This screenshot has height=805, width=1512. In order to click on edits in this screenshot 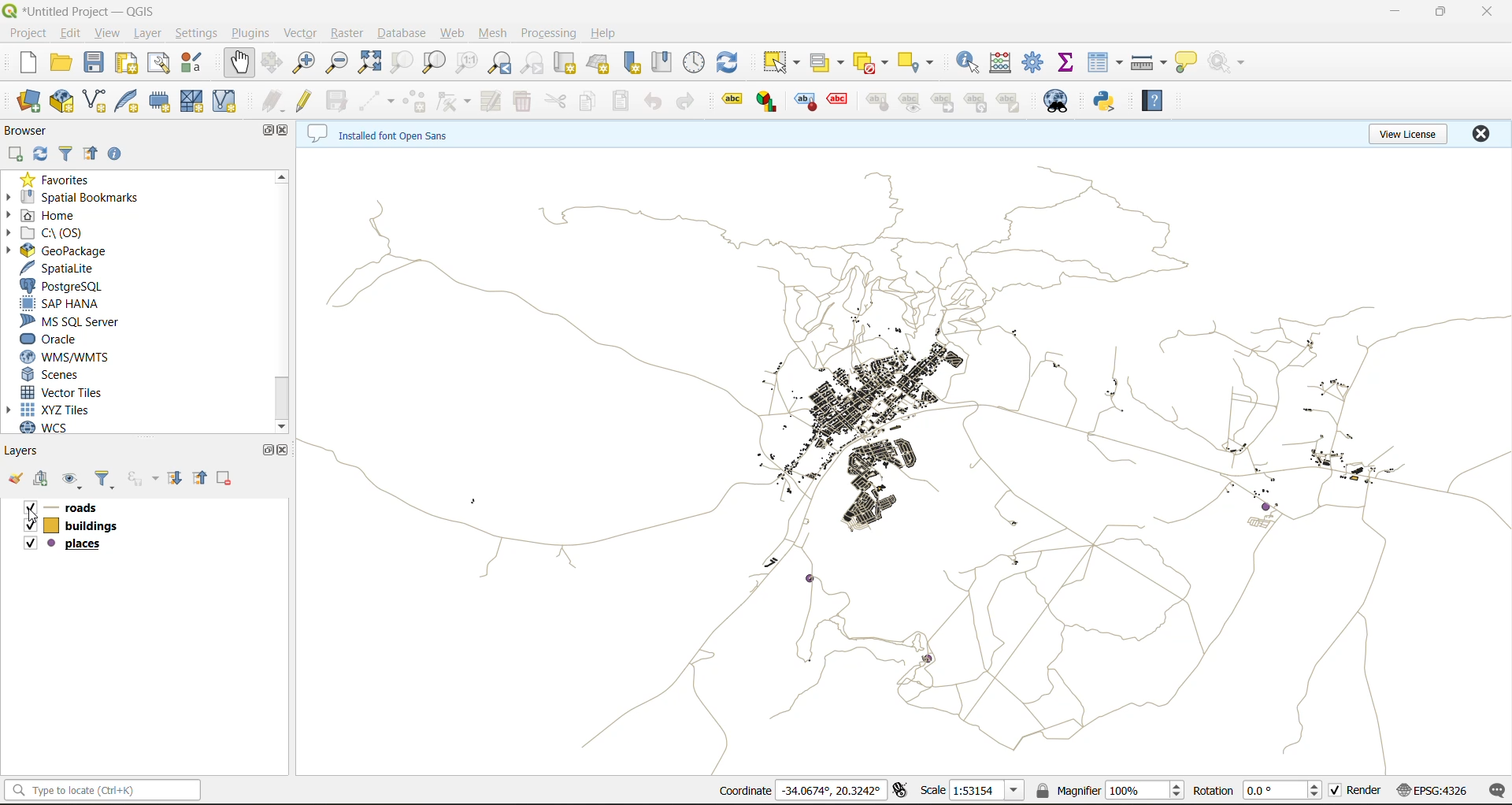, I will do `click(272, 98)`.